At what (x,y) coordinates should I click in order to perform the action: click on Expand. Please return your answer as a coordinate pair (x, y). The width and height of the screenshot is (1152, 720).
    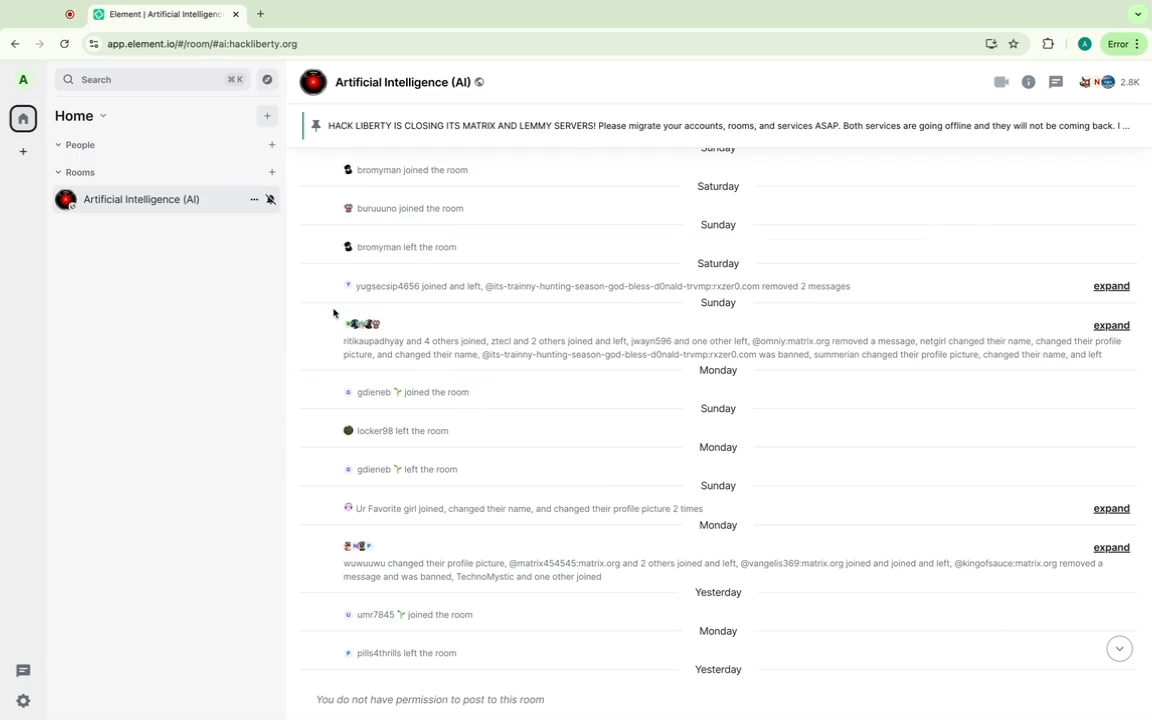
    Looking at the image, I should click on (1116, 546).